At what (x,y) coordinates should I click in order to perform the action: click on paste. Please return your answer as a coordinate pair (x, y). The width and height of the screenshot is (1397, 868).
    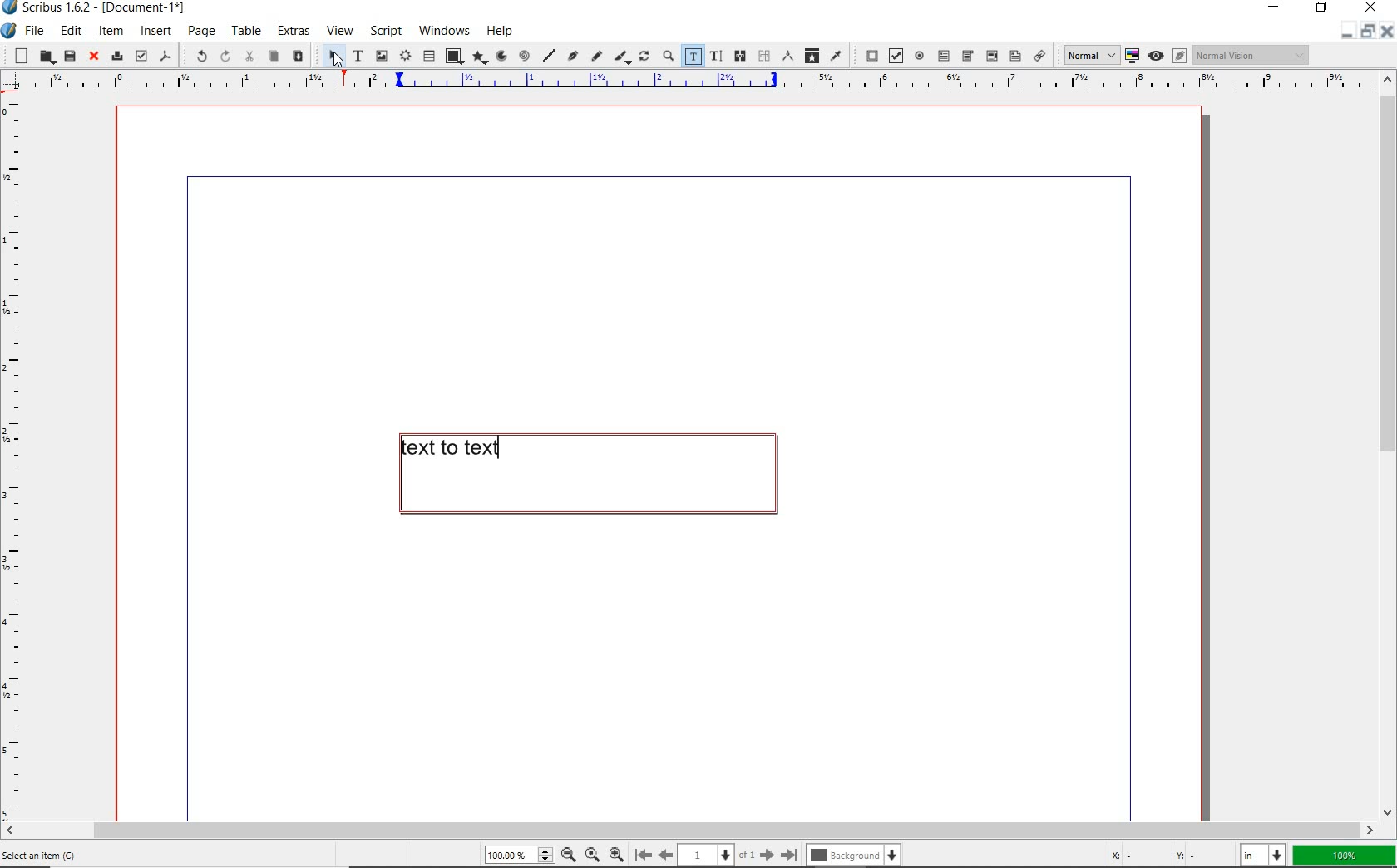
    Looking at the image, I should click on (297, 57).